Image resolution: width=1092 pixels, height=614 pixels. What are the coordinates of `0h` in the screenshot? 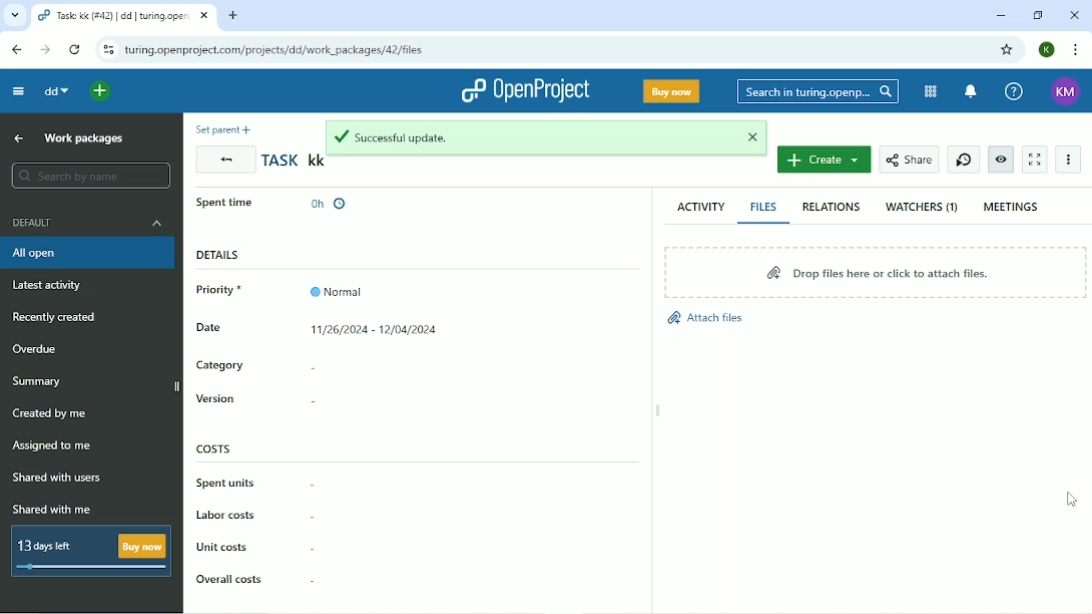 It's located at (329, 200).